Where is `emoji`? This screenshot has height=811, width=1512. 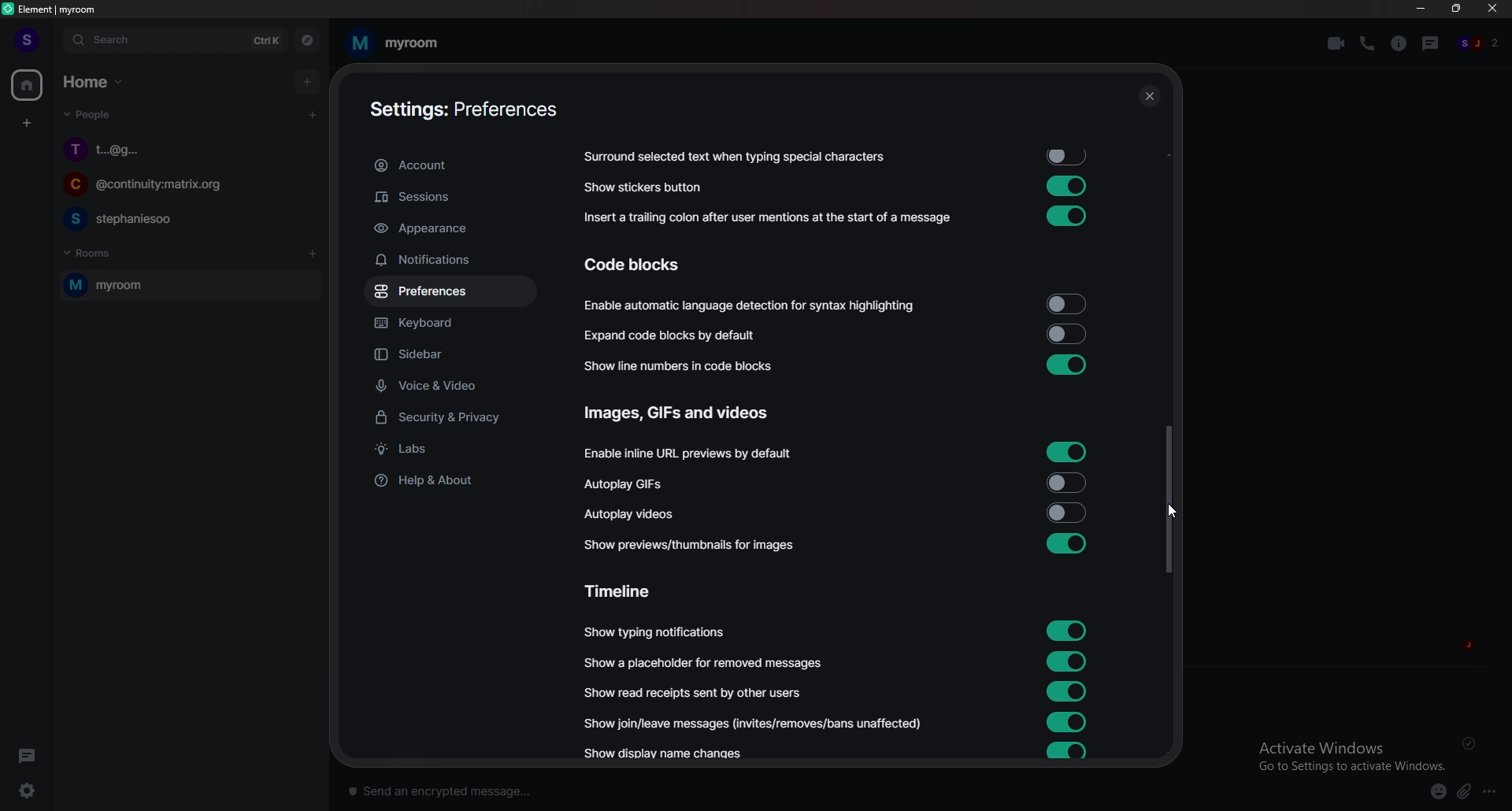
emoji is located at coordinates (1432, 791).